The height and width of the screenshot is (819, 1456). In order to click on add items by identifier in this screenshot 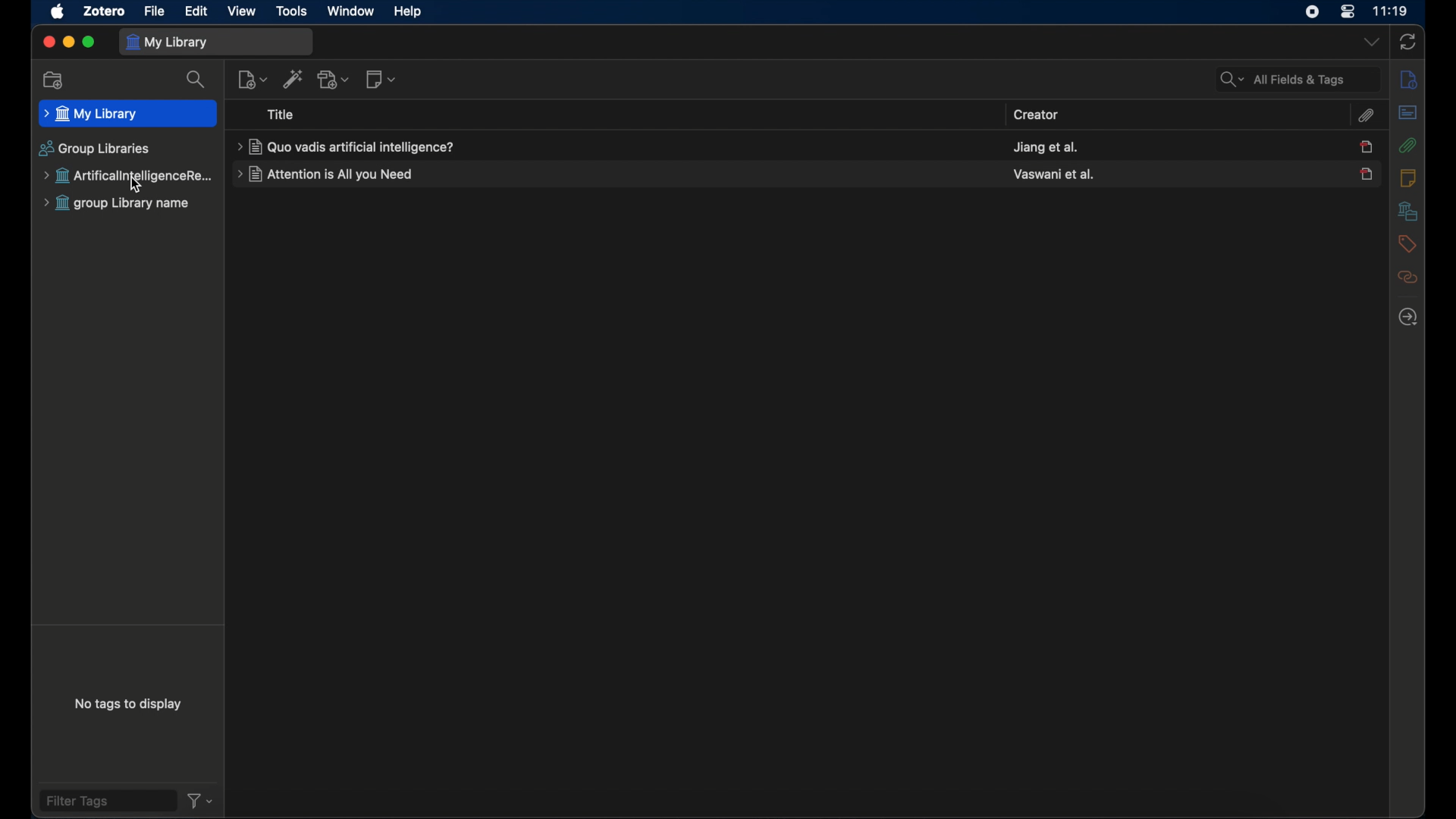, I will do `click(293, 79)`.